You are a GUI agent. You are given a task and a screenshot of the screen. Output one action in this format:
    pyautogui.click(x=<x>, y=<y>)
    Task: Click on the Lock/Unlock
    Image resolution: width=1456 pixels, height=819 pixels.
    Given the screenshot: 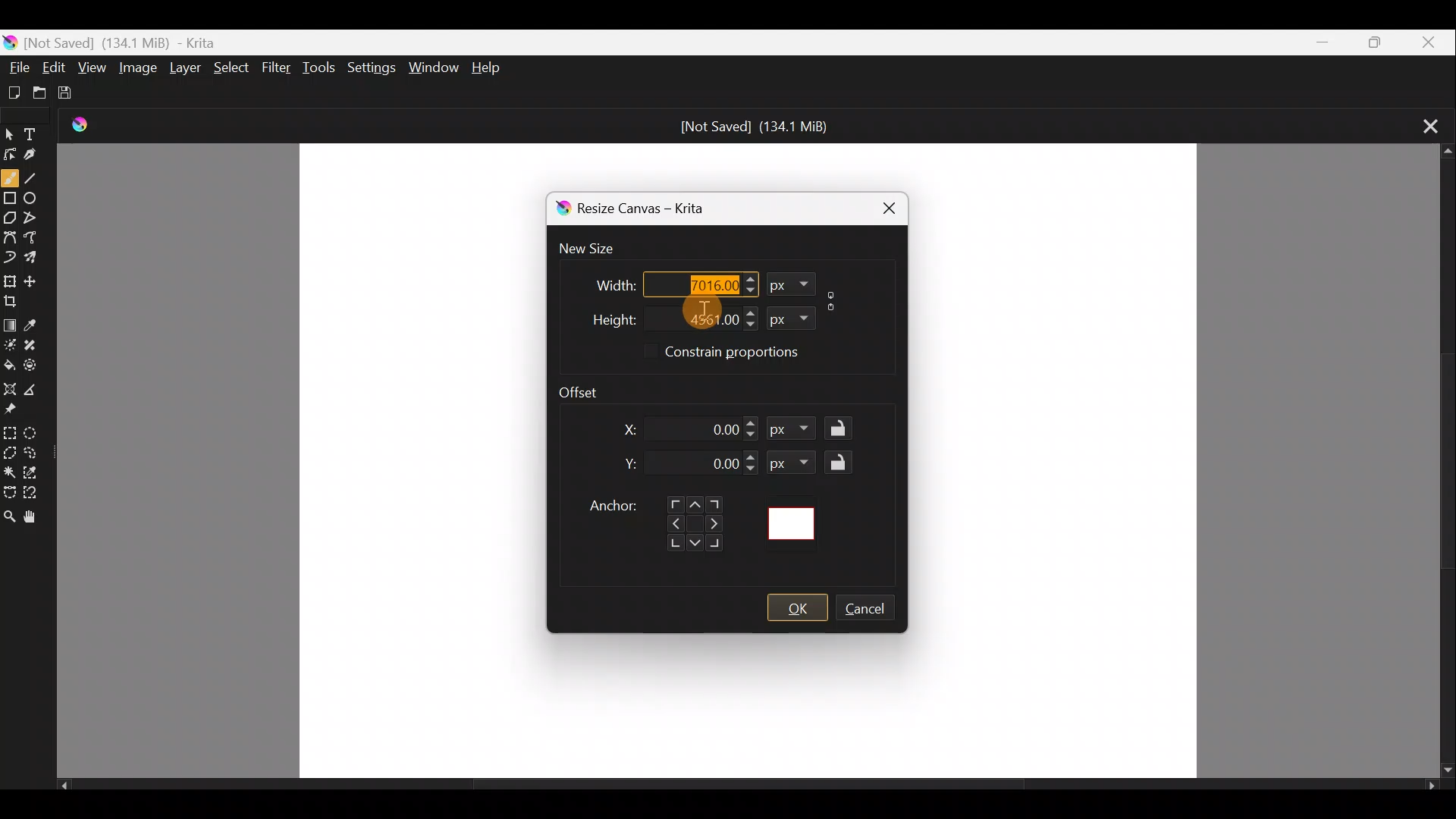 What is the action you would take?
    pyautogui.click(x=843, y=462)
    